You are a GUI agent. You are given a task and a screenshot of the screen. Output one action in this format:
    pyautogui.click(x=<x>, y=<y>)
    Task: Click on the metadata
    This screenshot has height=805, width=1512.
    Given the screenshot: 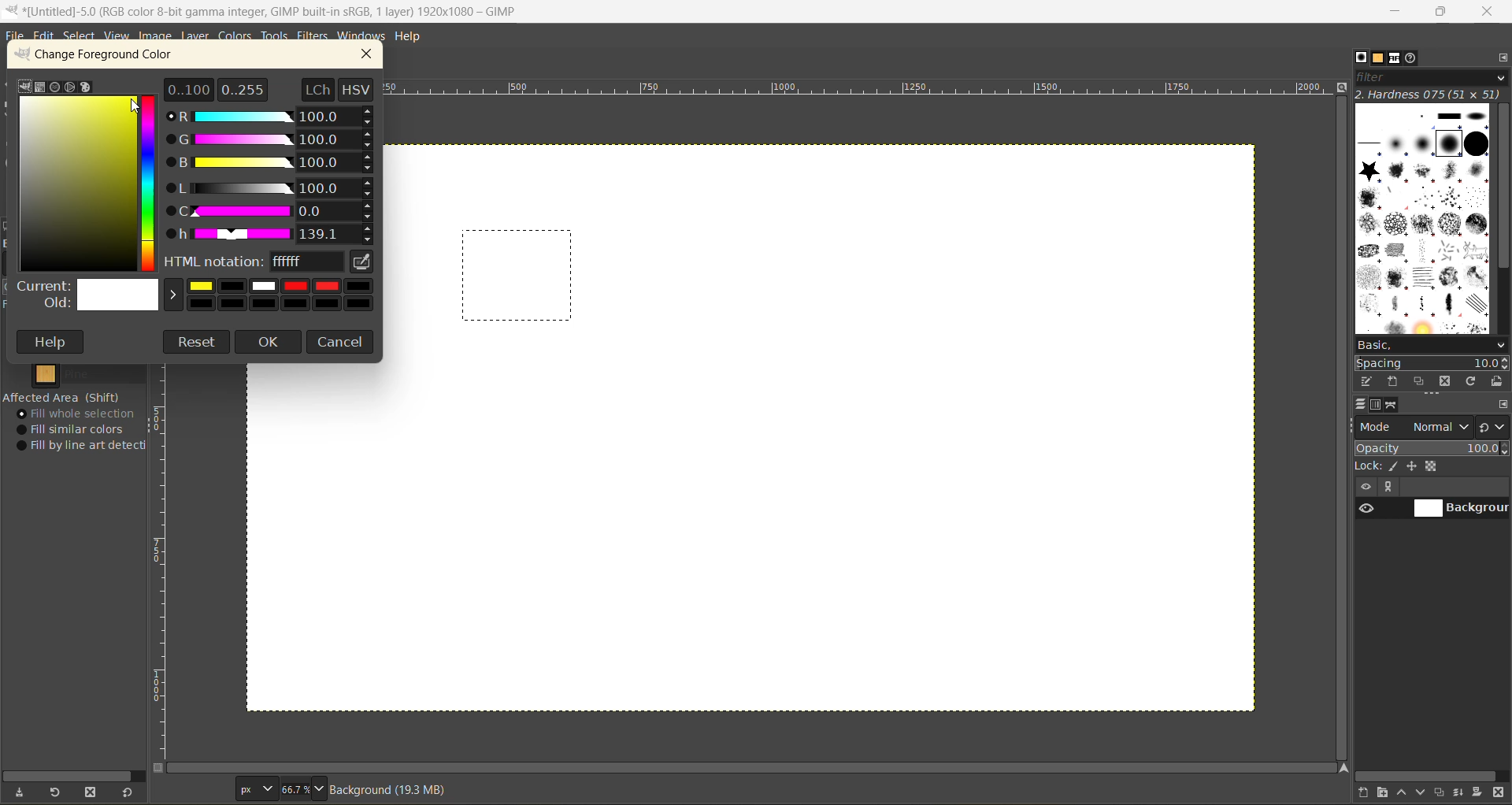 What is the action you would take?
    pyautogui.click(x=396, y=789)
    